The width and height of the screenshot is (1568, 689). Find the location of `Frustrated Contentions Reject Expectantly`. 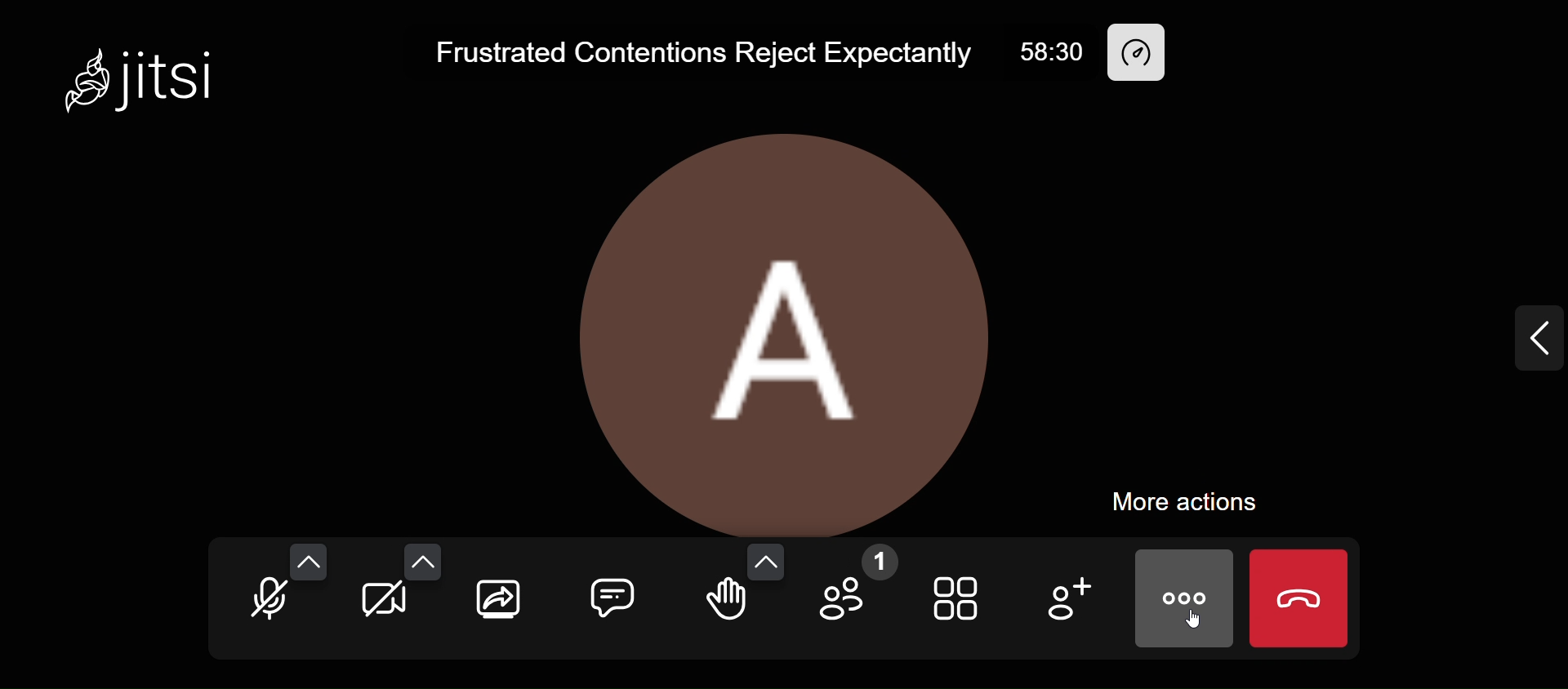

Frustrated Contentions Reject Expectantly is located at coordinates (700, 55).